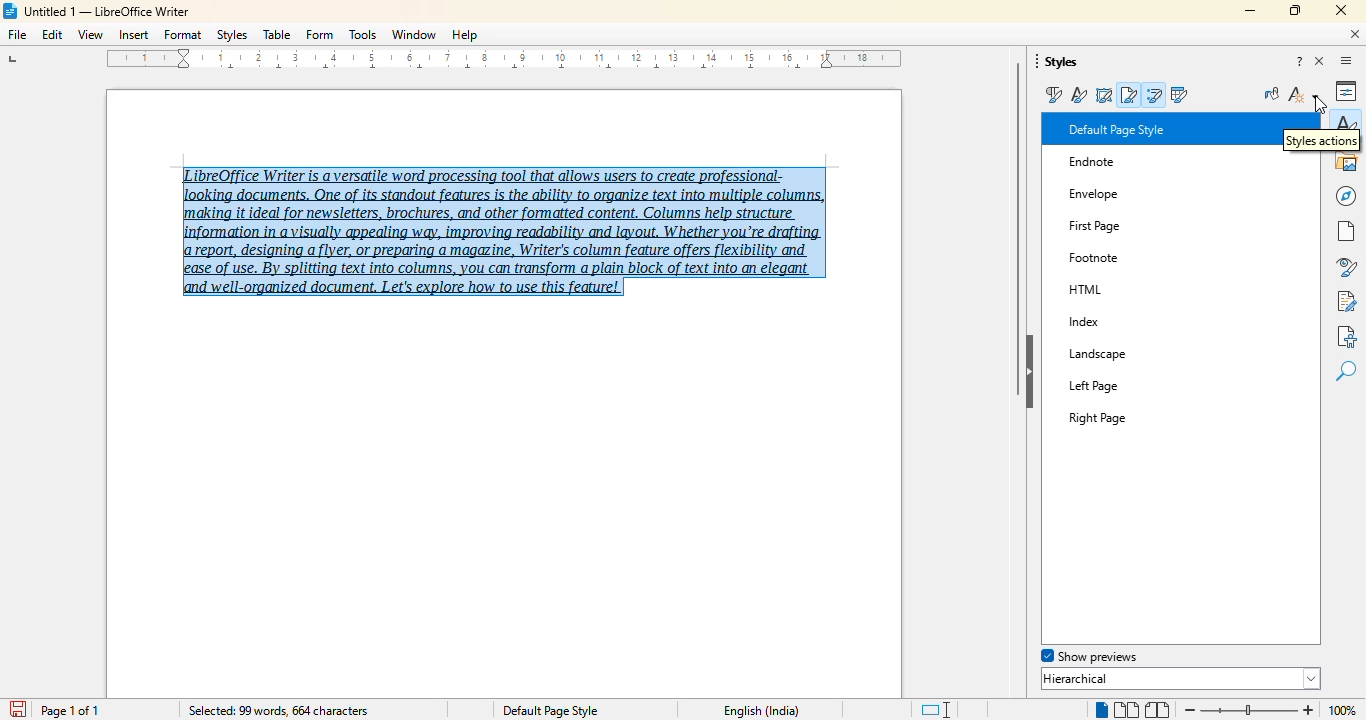 This screenshot has height=720, width=1366. Describe the element at coordinates (277, 35) in the screenshot. I see `table` at that location.